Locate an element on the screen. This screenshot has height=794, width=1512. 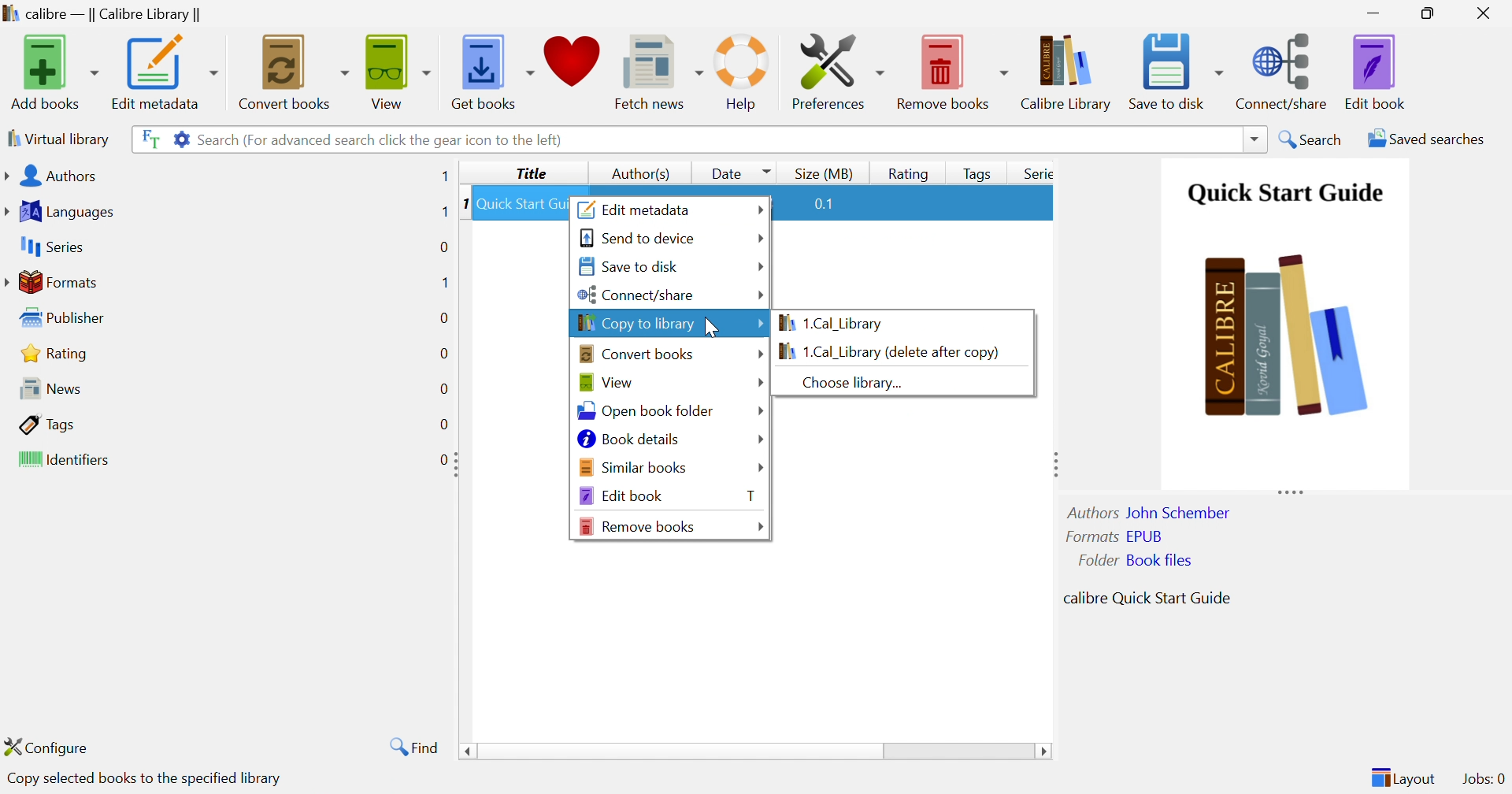
Series is located at coordinates (50, 246).